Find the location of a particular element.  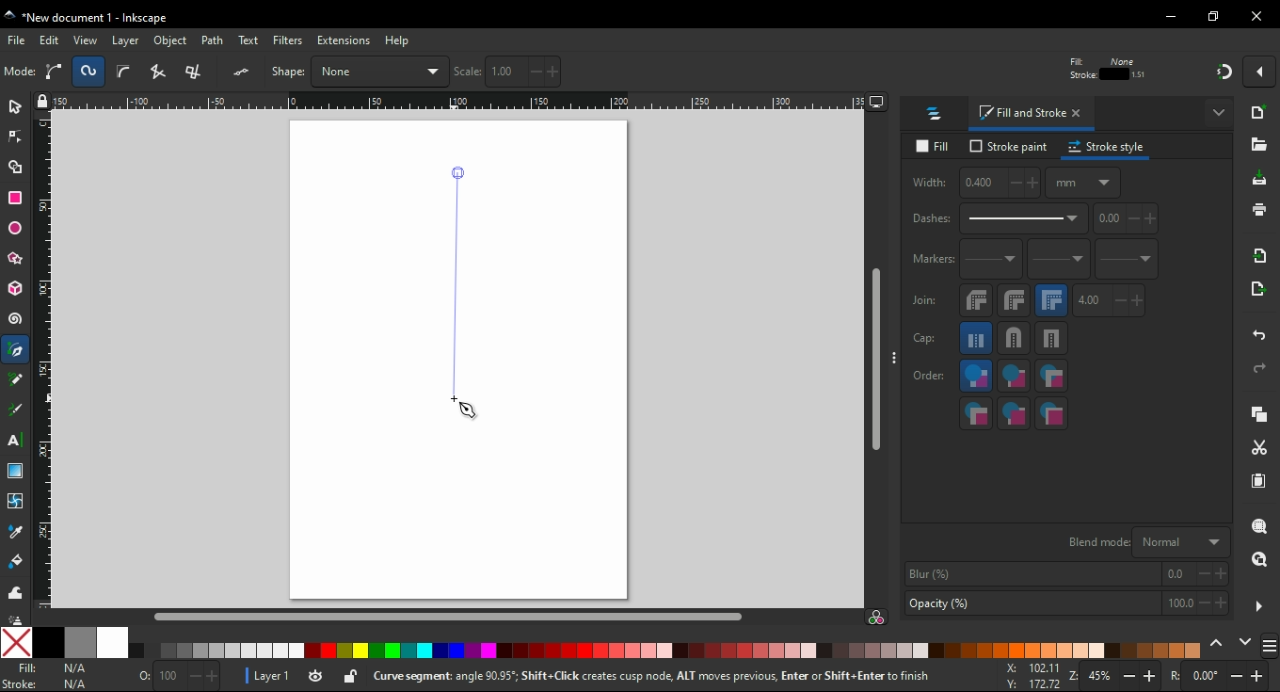

blur is located at coordinates (1064, 574).